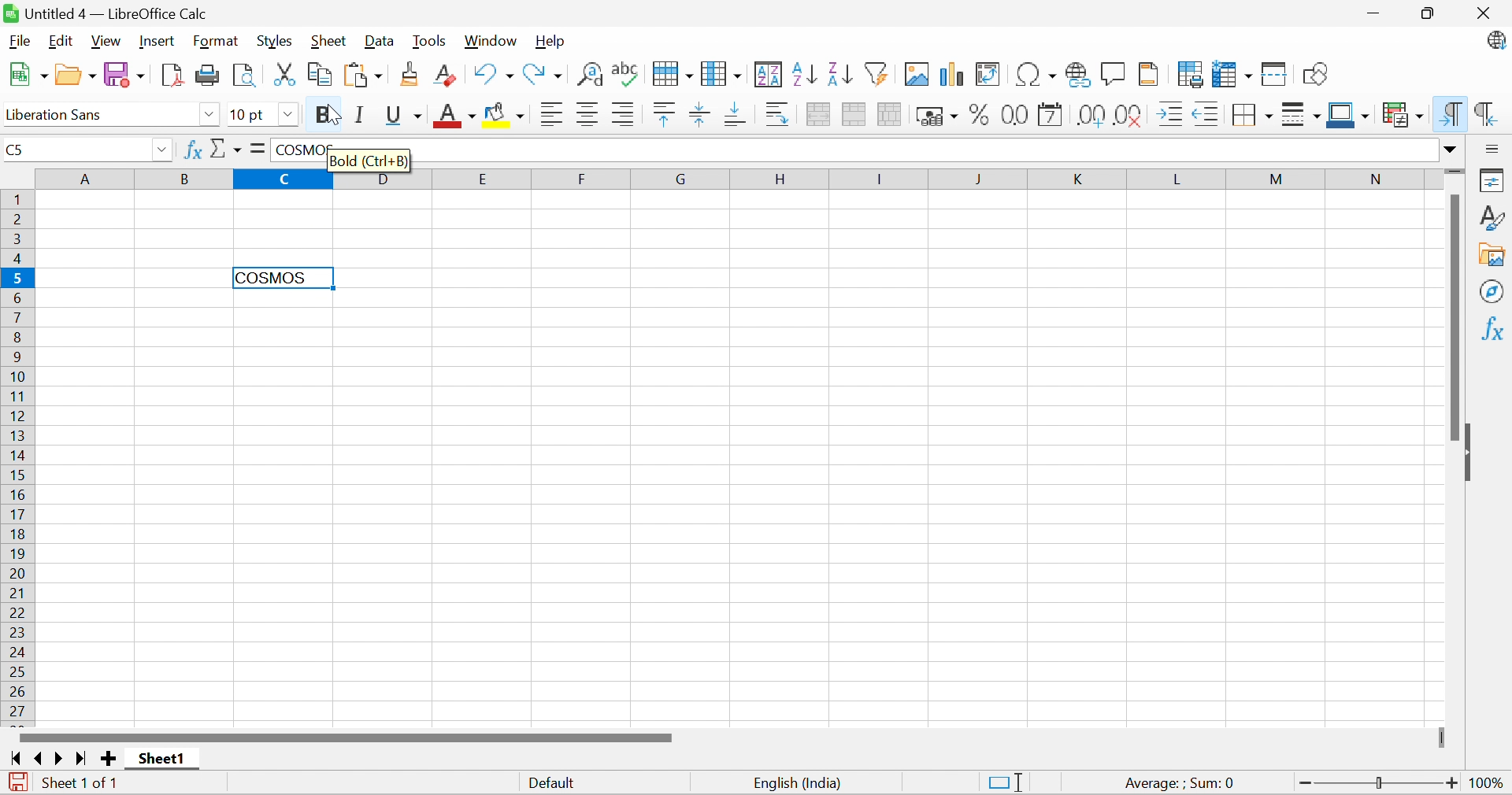 The width and height of the screenshot is (1512, 795). Describe the element at coordinates (261, 149) in the screenshot. I see `Formula` at that location.